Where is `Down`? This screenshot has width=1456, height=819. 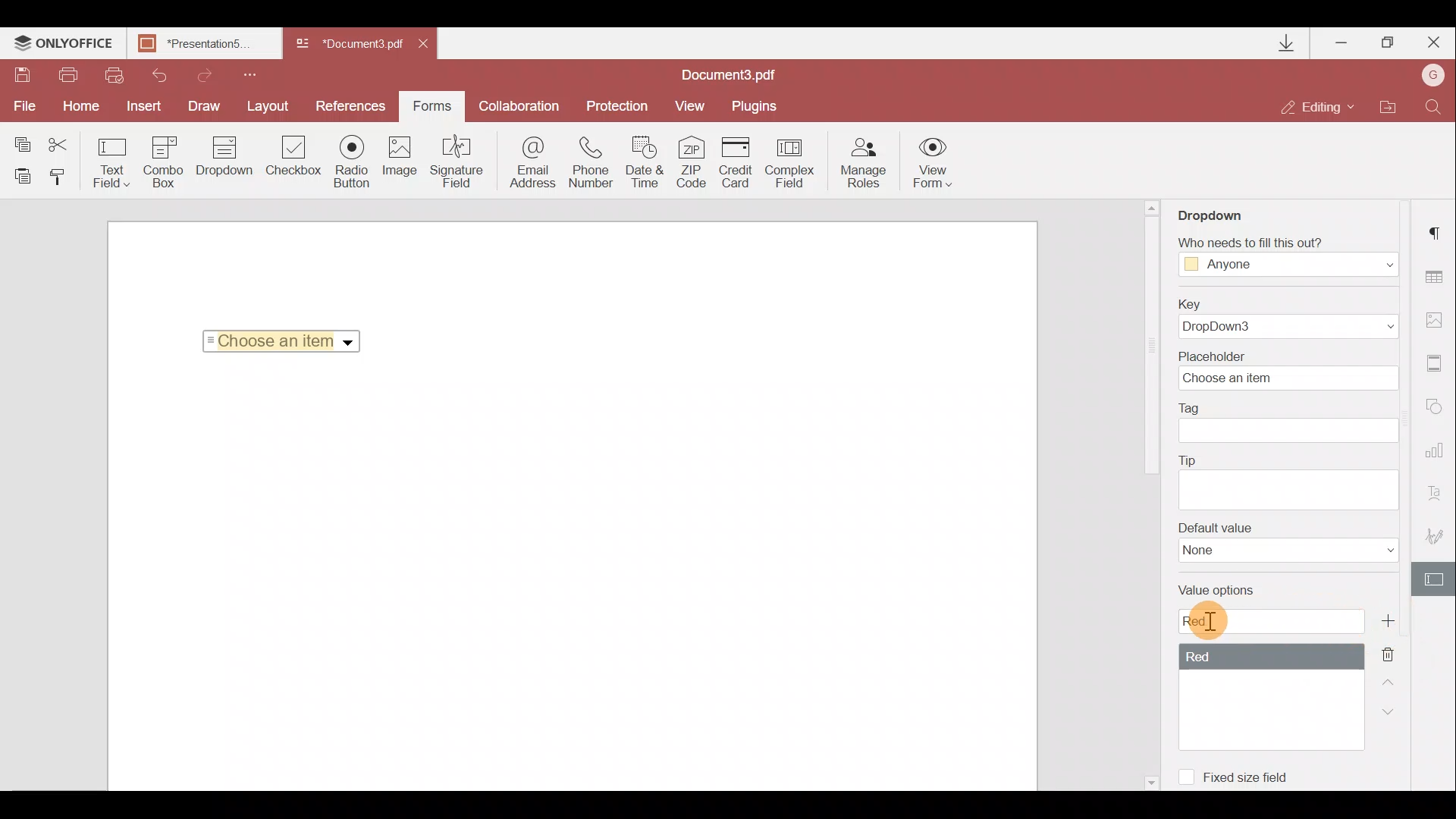
Down is located at coordinates (1385, 711).